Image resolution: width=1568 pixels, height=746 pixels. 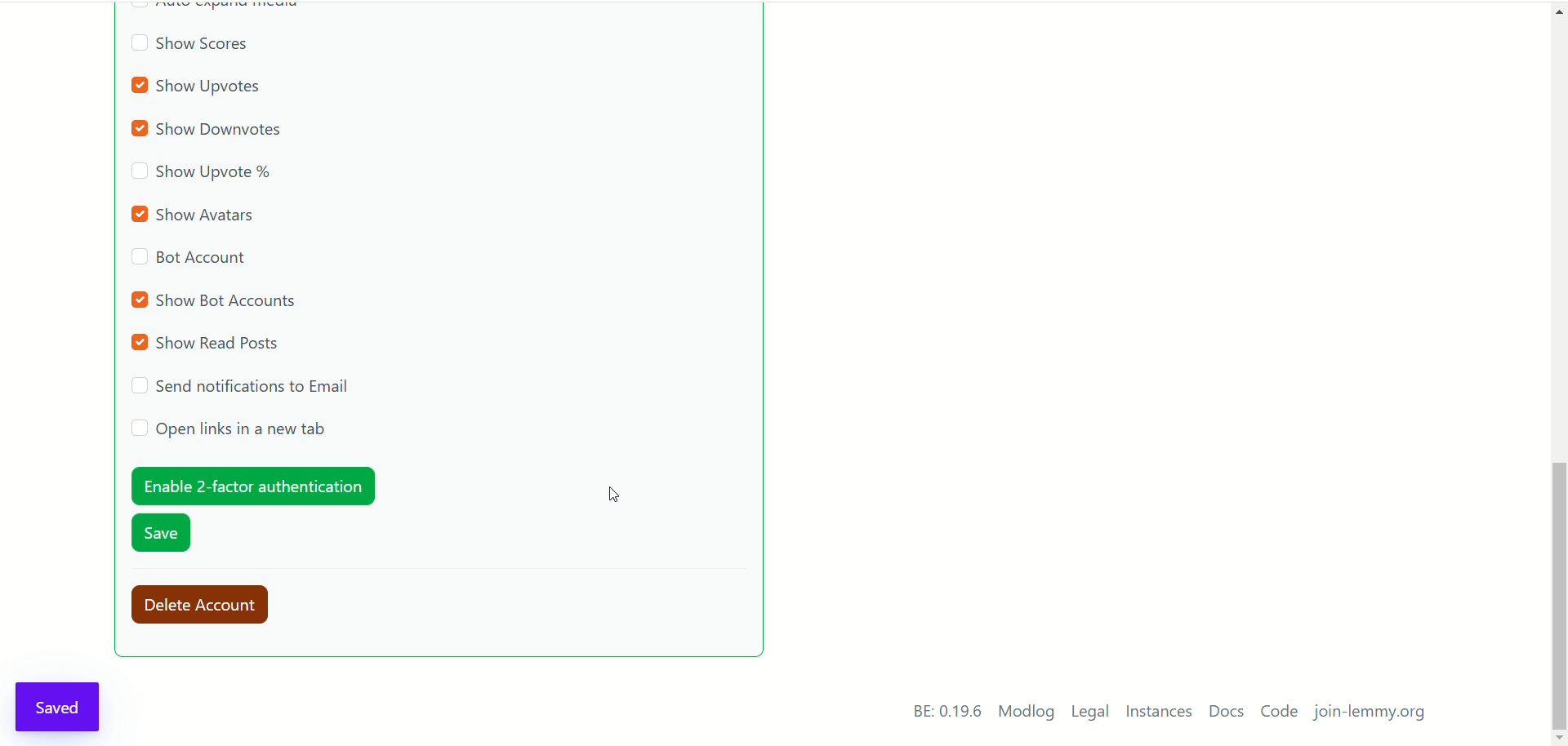 What do you see at coordinates (198, 214) in the screenshot?
I see `selected show avatars` at bounding box center [198, 214].